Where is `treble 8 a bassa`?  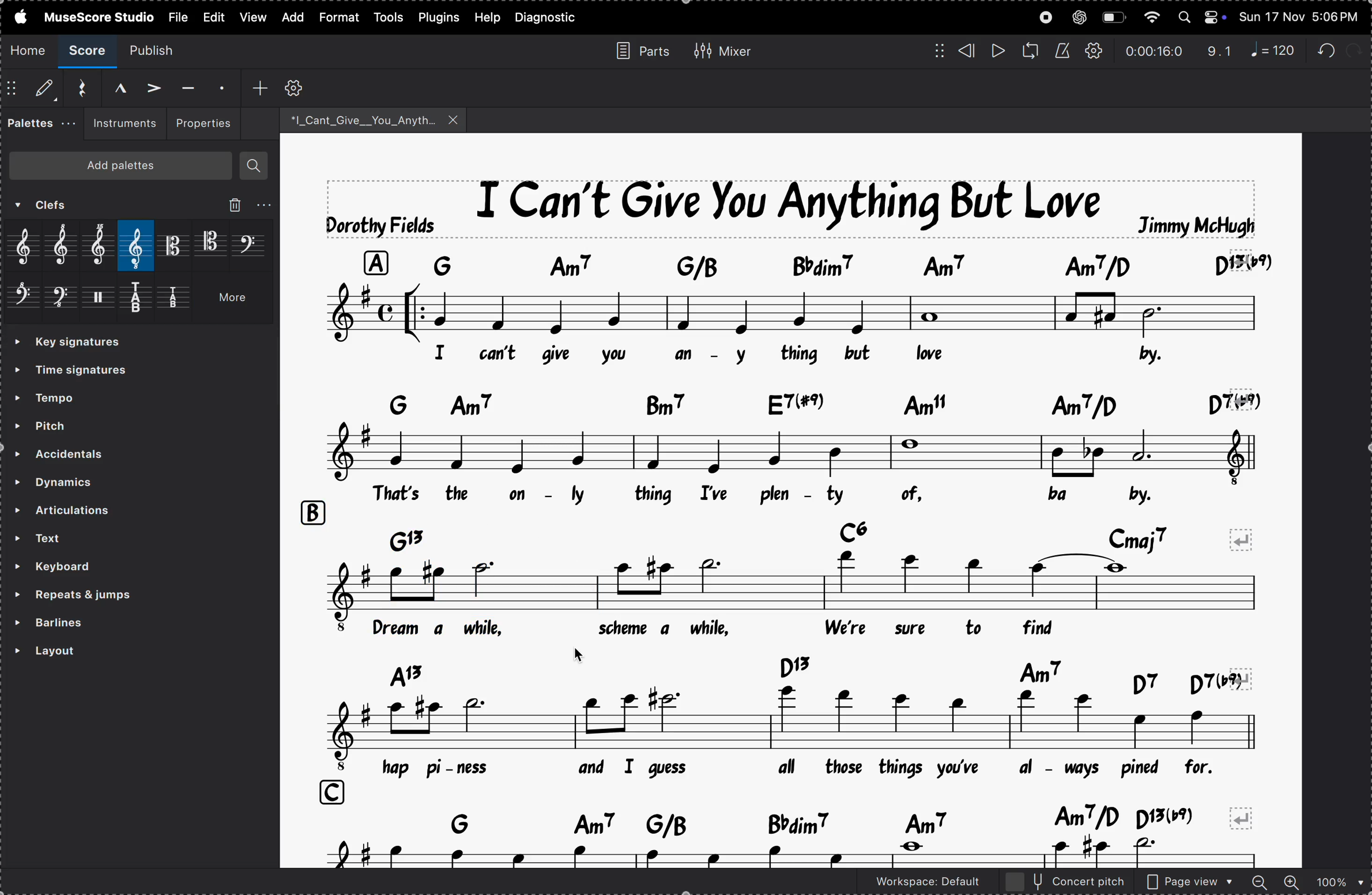 treble 8 a bassa is located at coordinates (138, 246).